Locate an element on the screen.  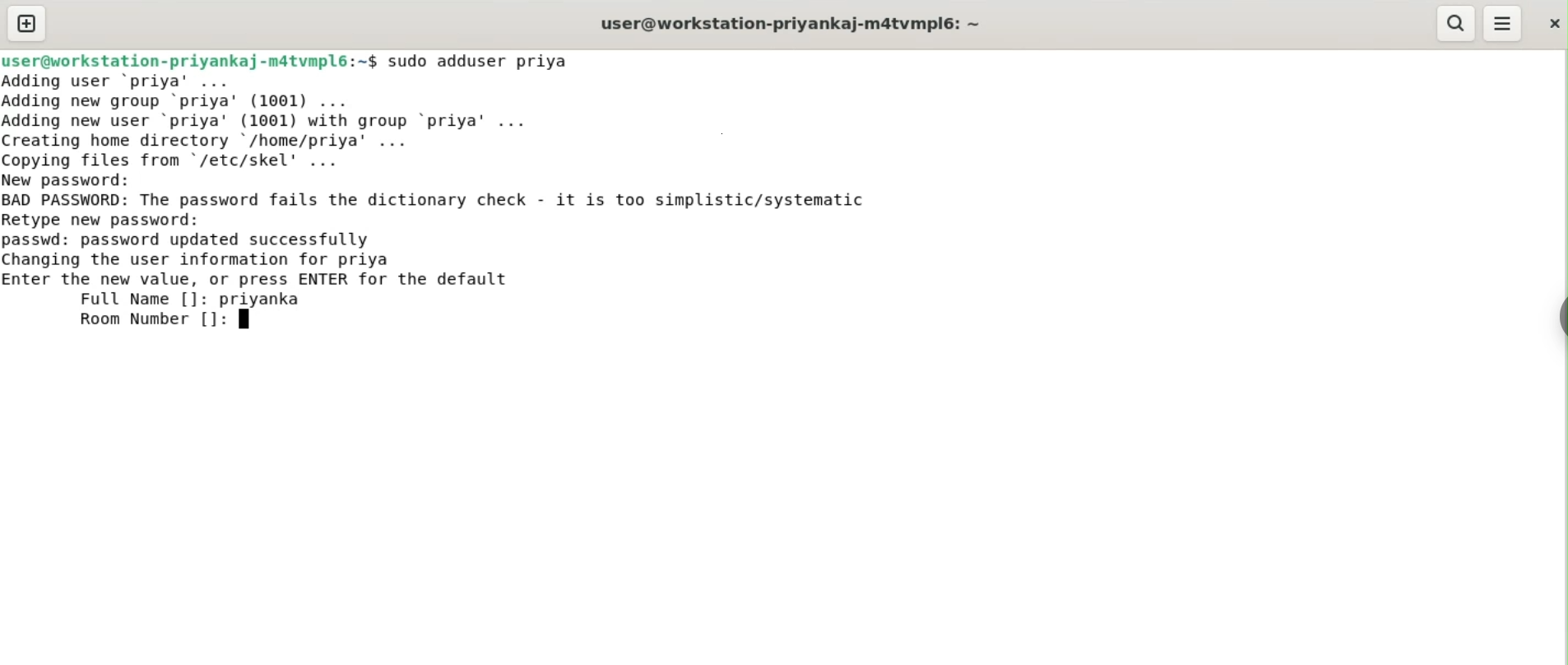
room number []: is located at coordinates (164, 321).